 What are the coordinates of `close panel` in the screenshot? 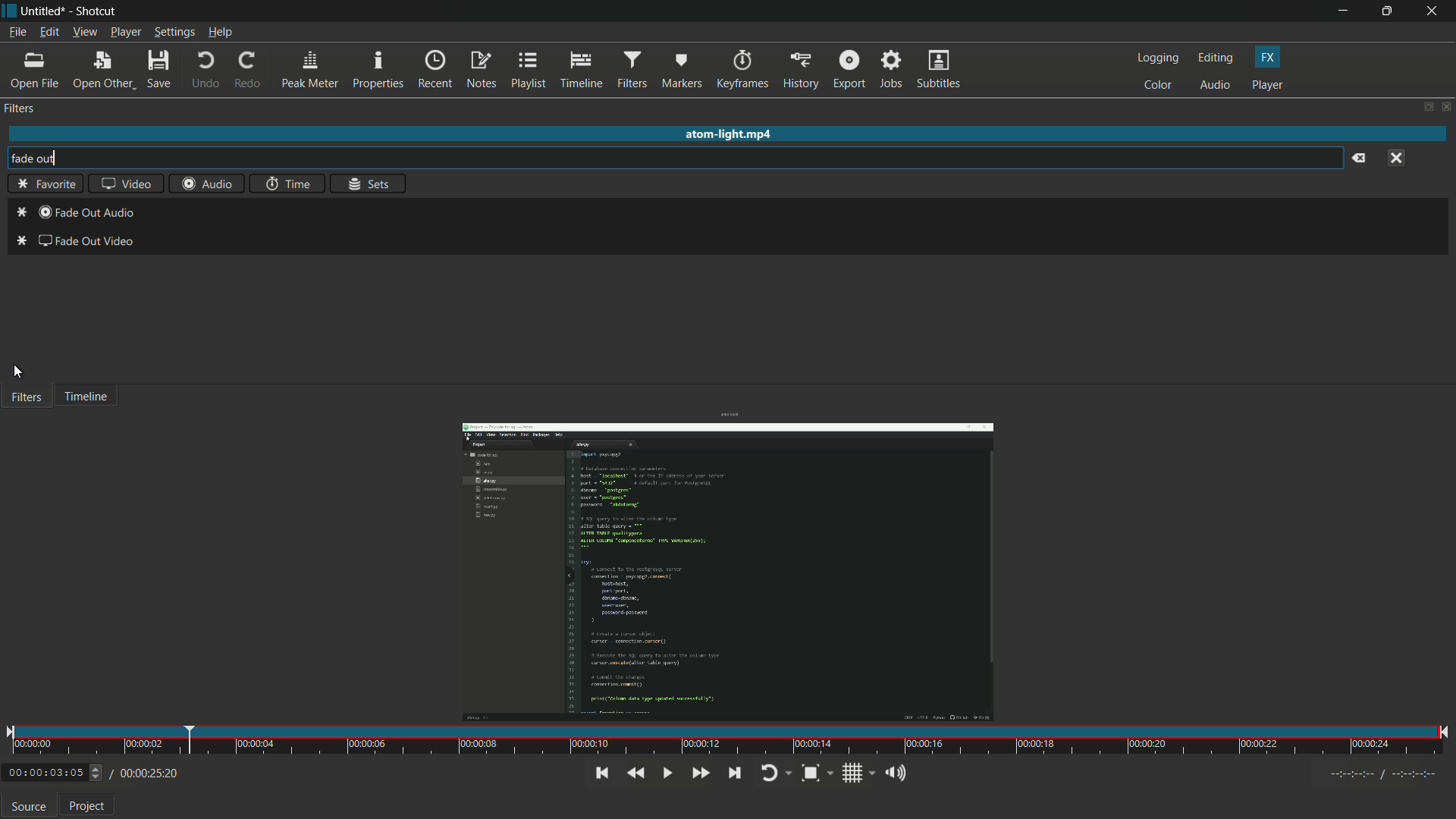 It's located at (1447, 108).